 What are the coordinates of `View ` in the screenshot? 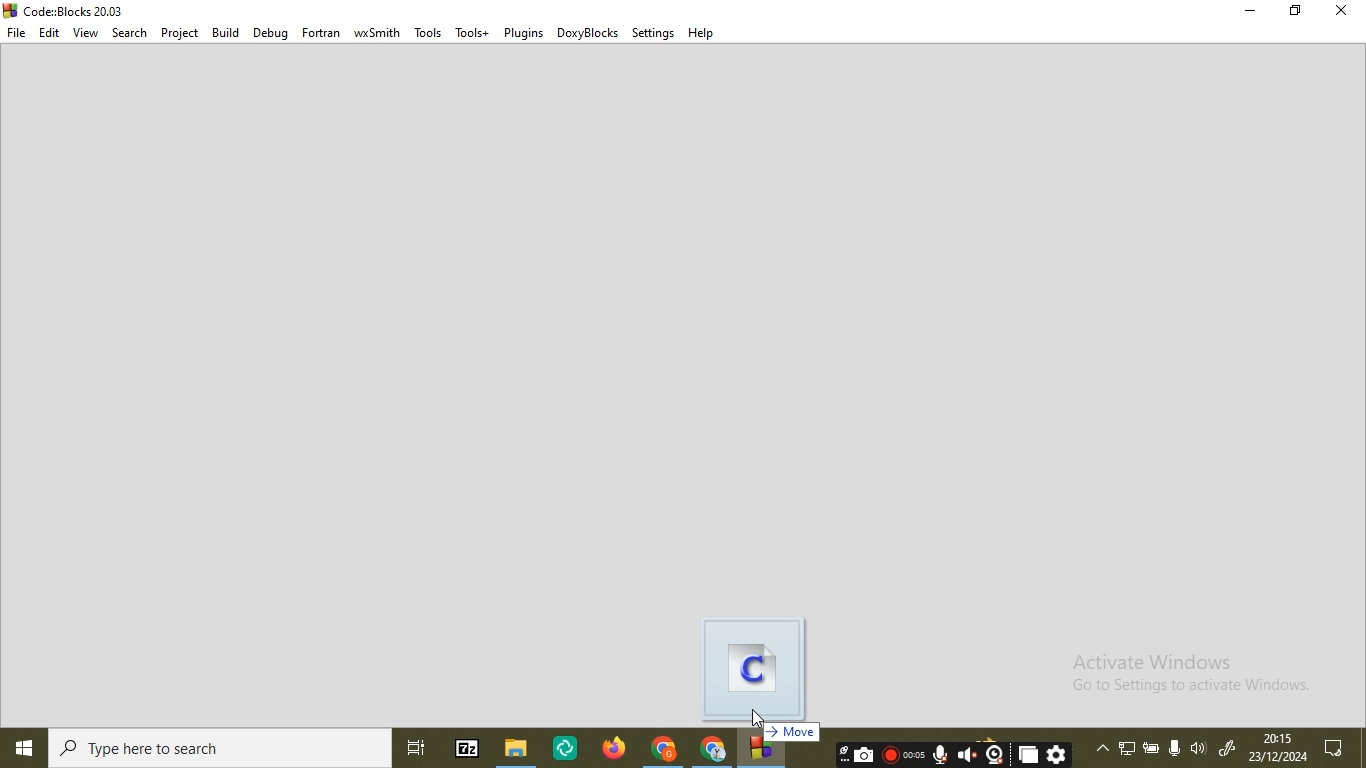 It's located at (85, 32).